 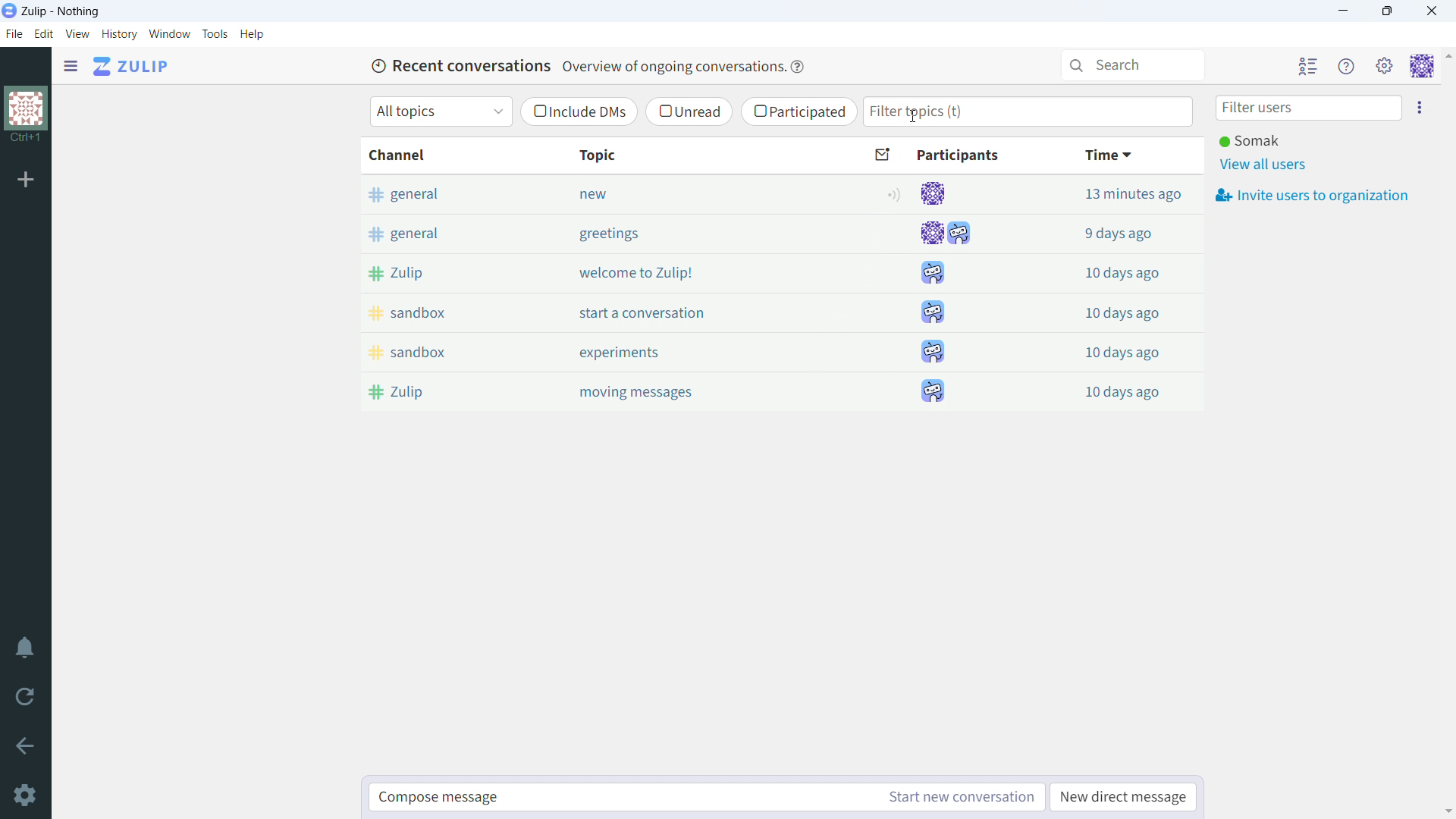 I want to click on experiments, so click(x=696, y=352).